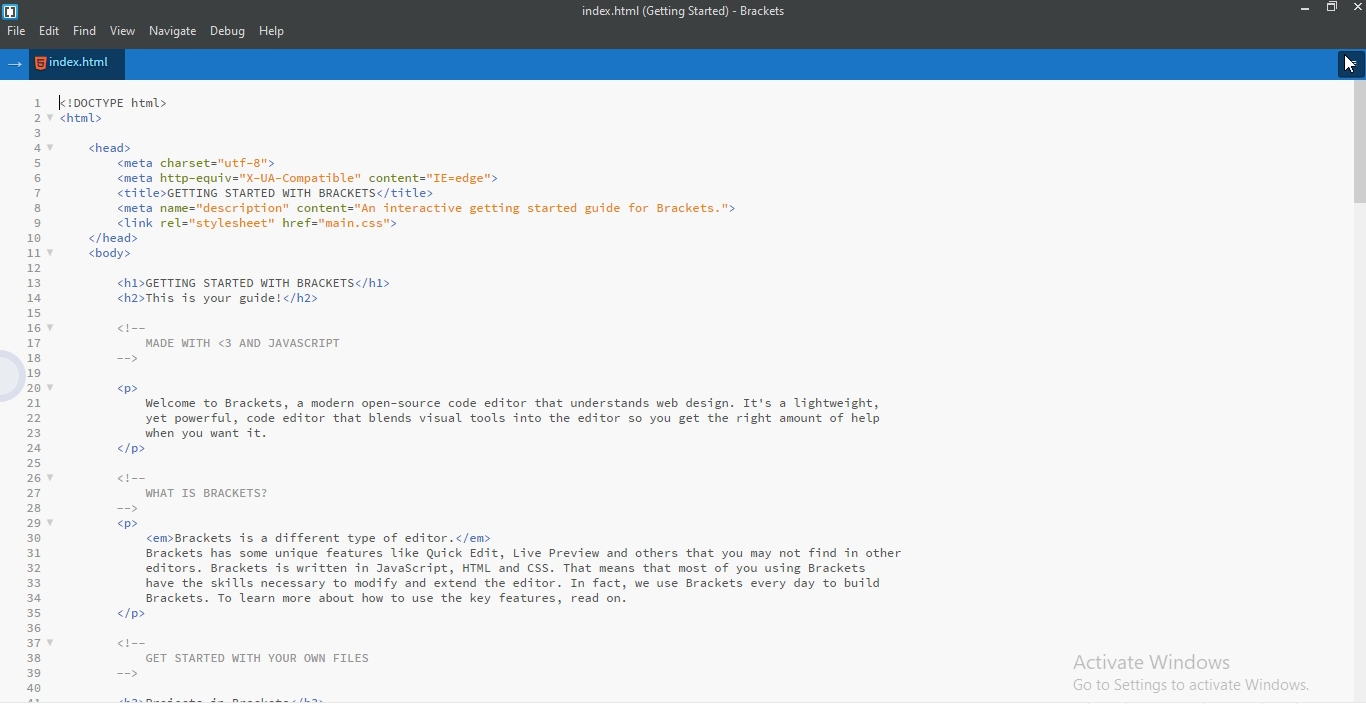 The image size is (1366, 704). Describe the element at coordinates (1352, 64) in the screenshot. I see `options` at that location.